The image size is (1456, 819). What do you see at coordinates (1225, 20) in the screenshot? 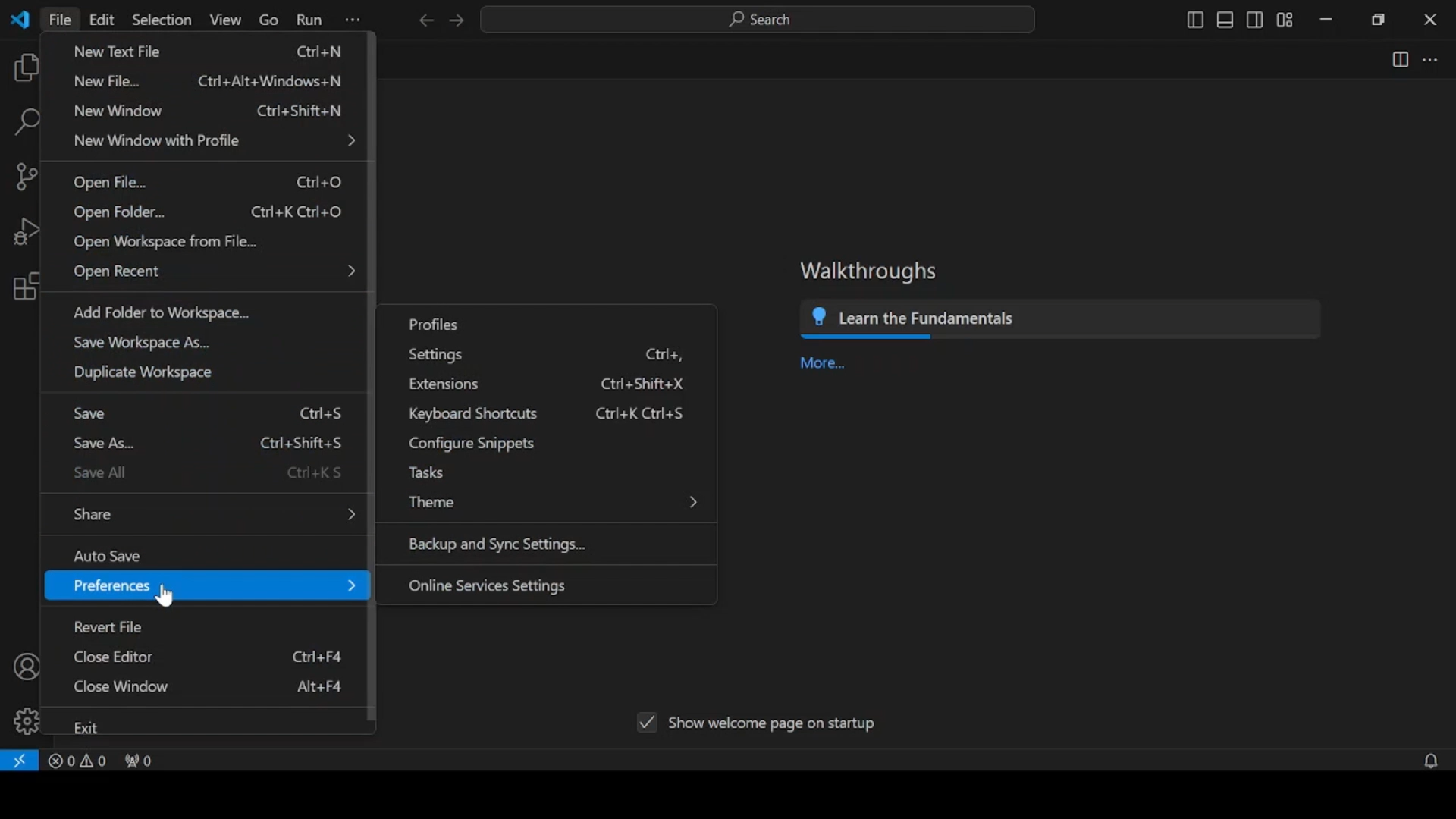
I see `toggle panel` at bounding box center [1225, 20].